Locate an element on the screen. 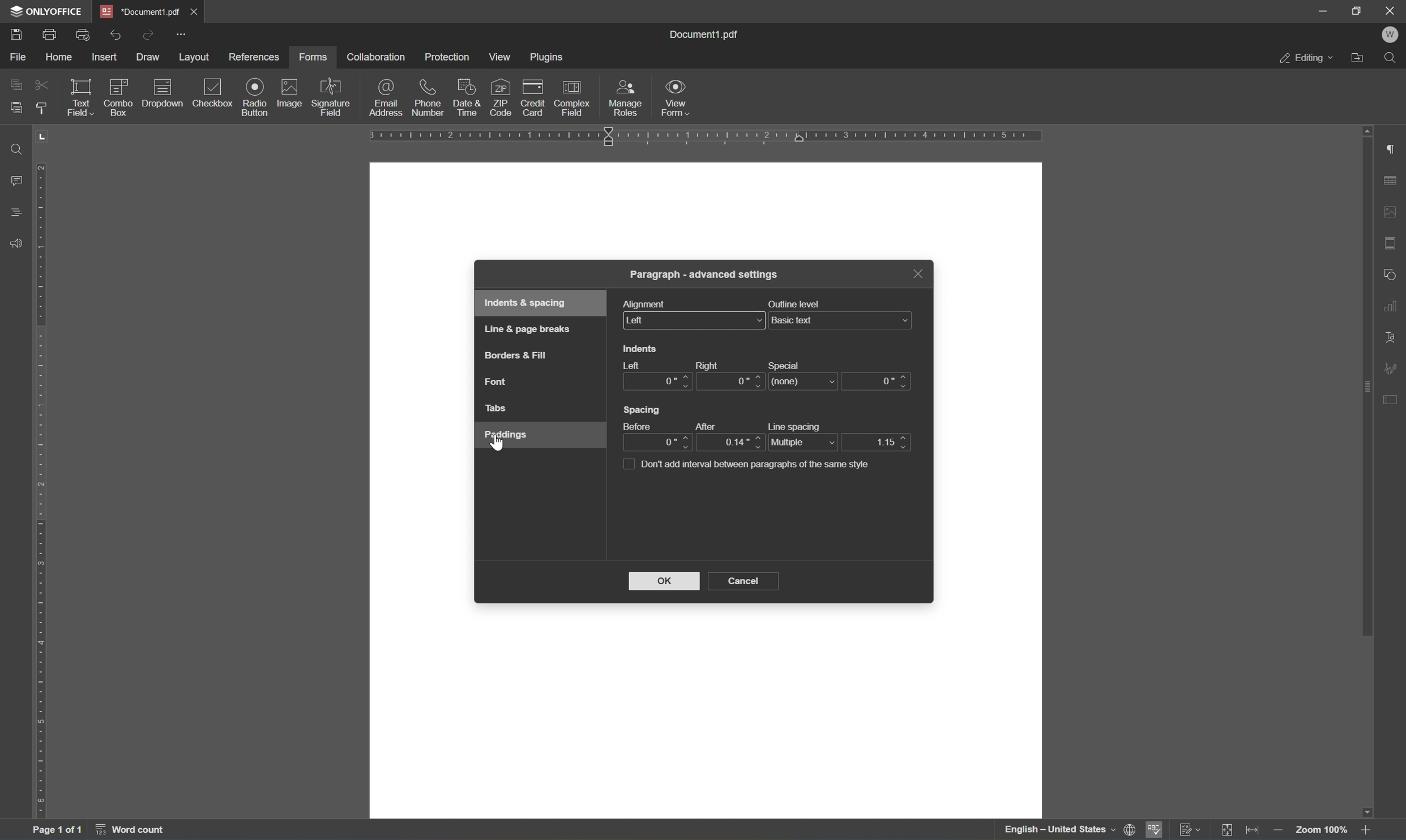 This screenshot has height=840, width=1406. text field is located at coordinates (78, 96).